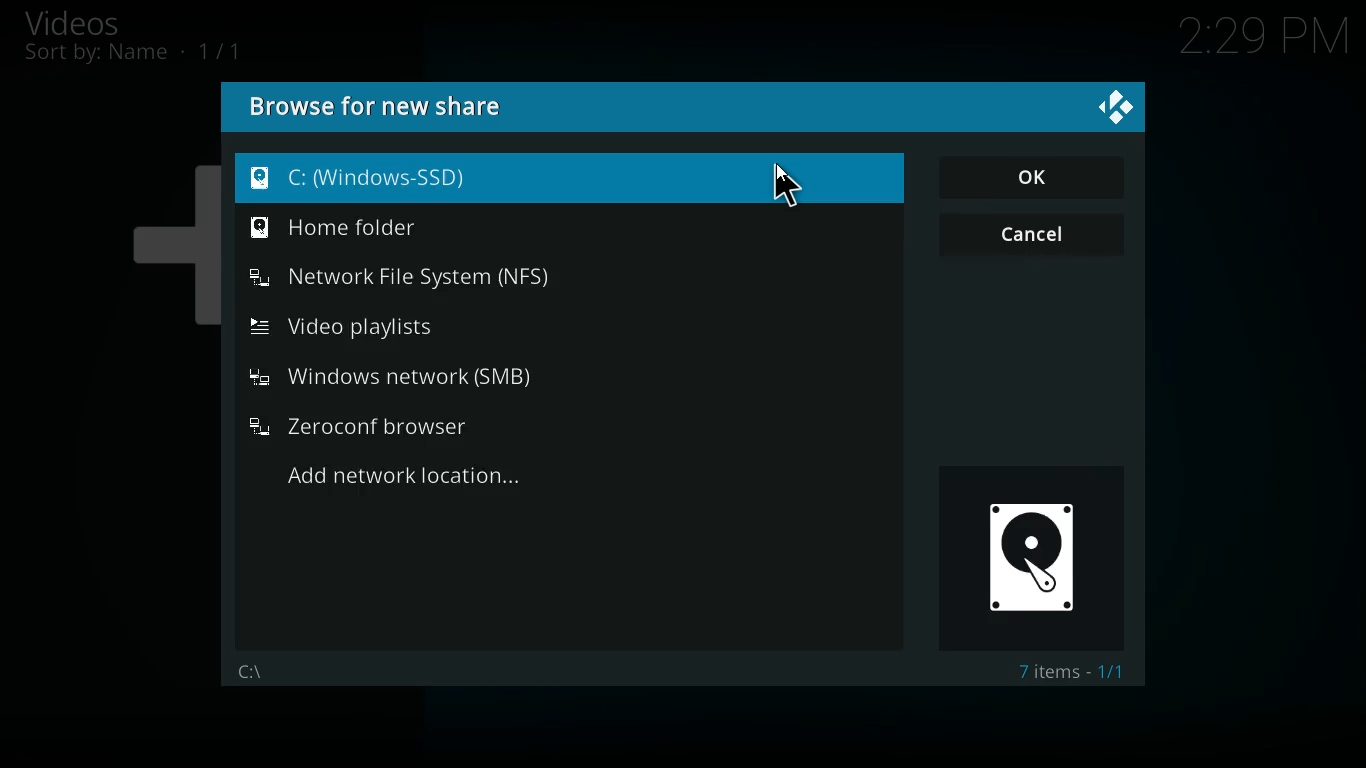  I want to click on sort by name 1/1, so click(133, 53).